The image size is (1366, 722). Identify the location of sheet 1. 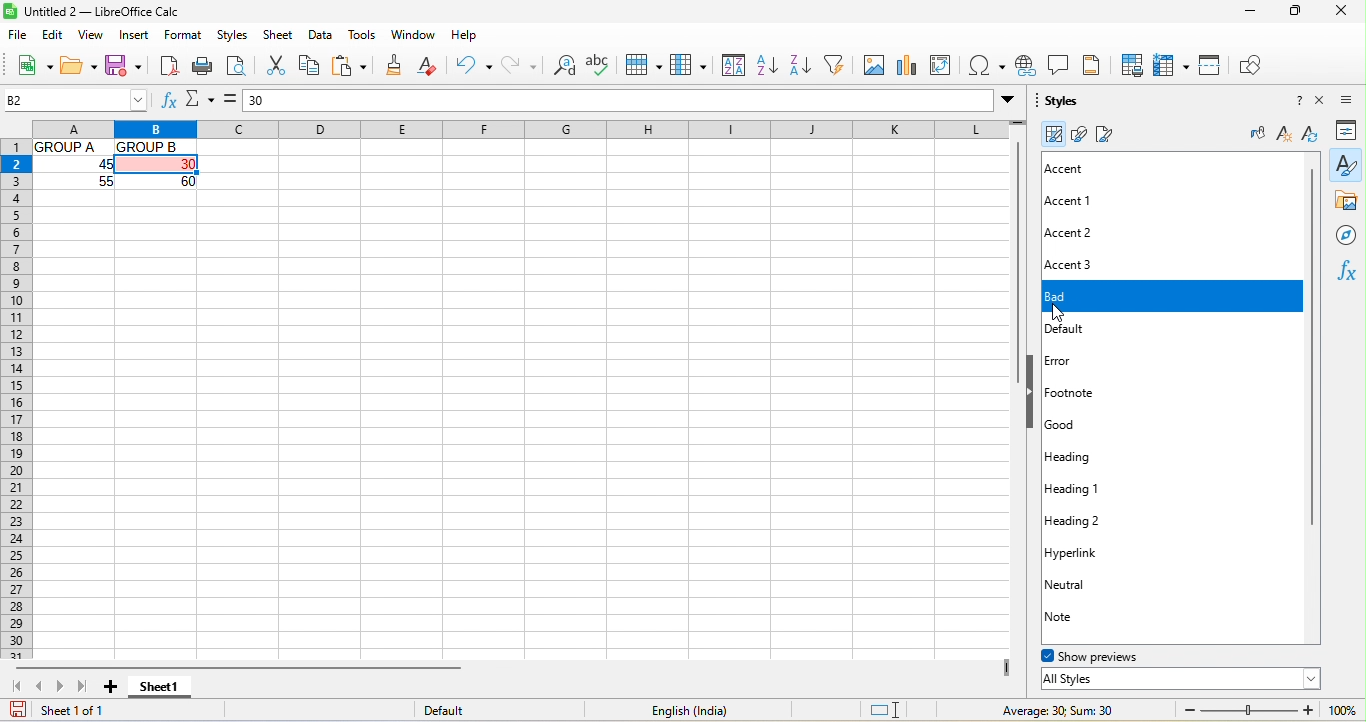
(166, 688).